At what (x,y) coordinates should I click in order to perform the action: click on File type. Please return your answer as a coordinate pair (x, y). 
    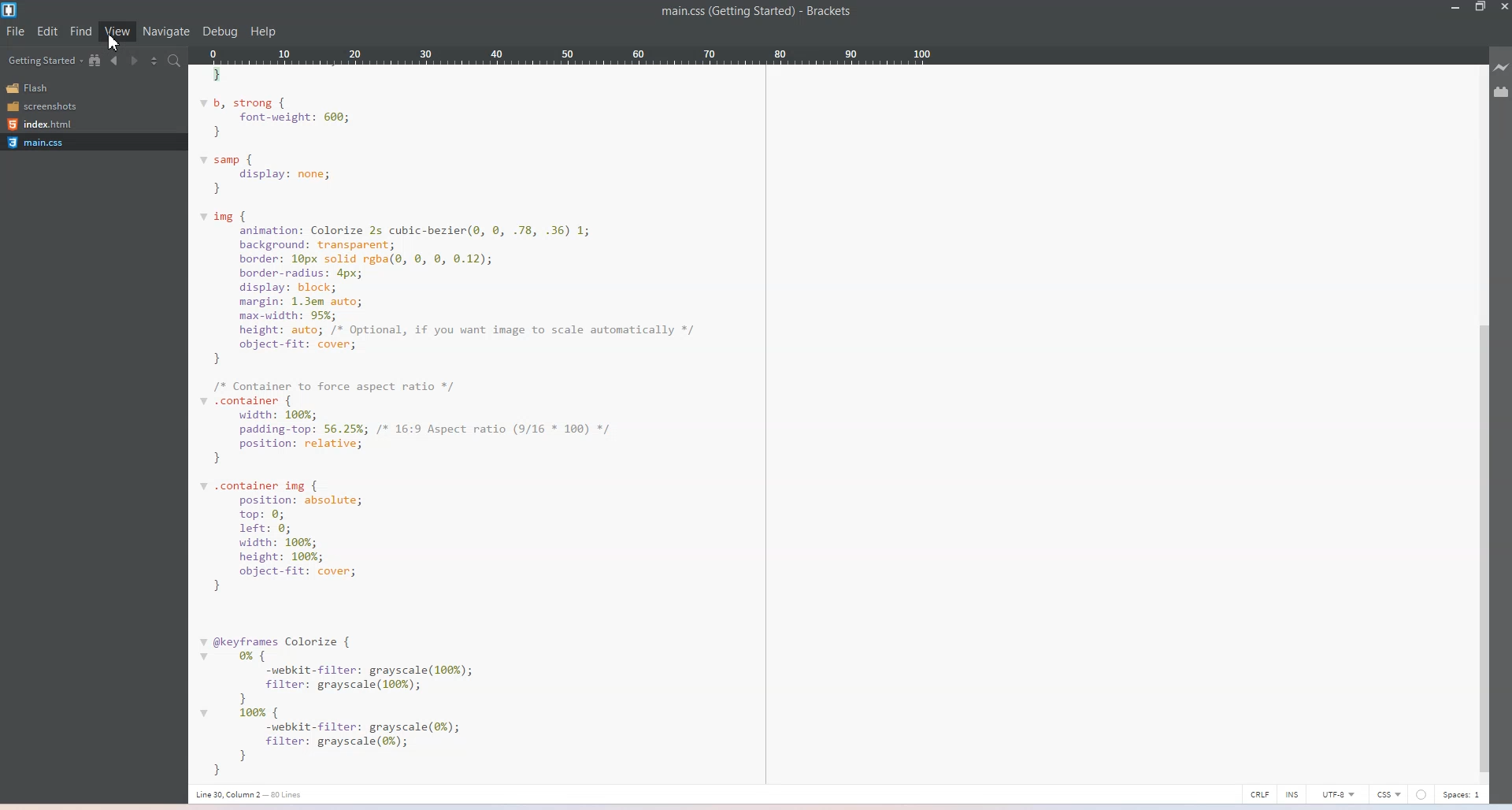
    Looking at the image, I should click on (1389, 795).